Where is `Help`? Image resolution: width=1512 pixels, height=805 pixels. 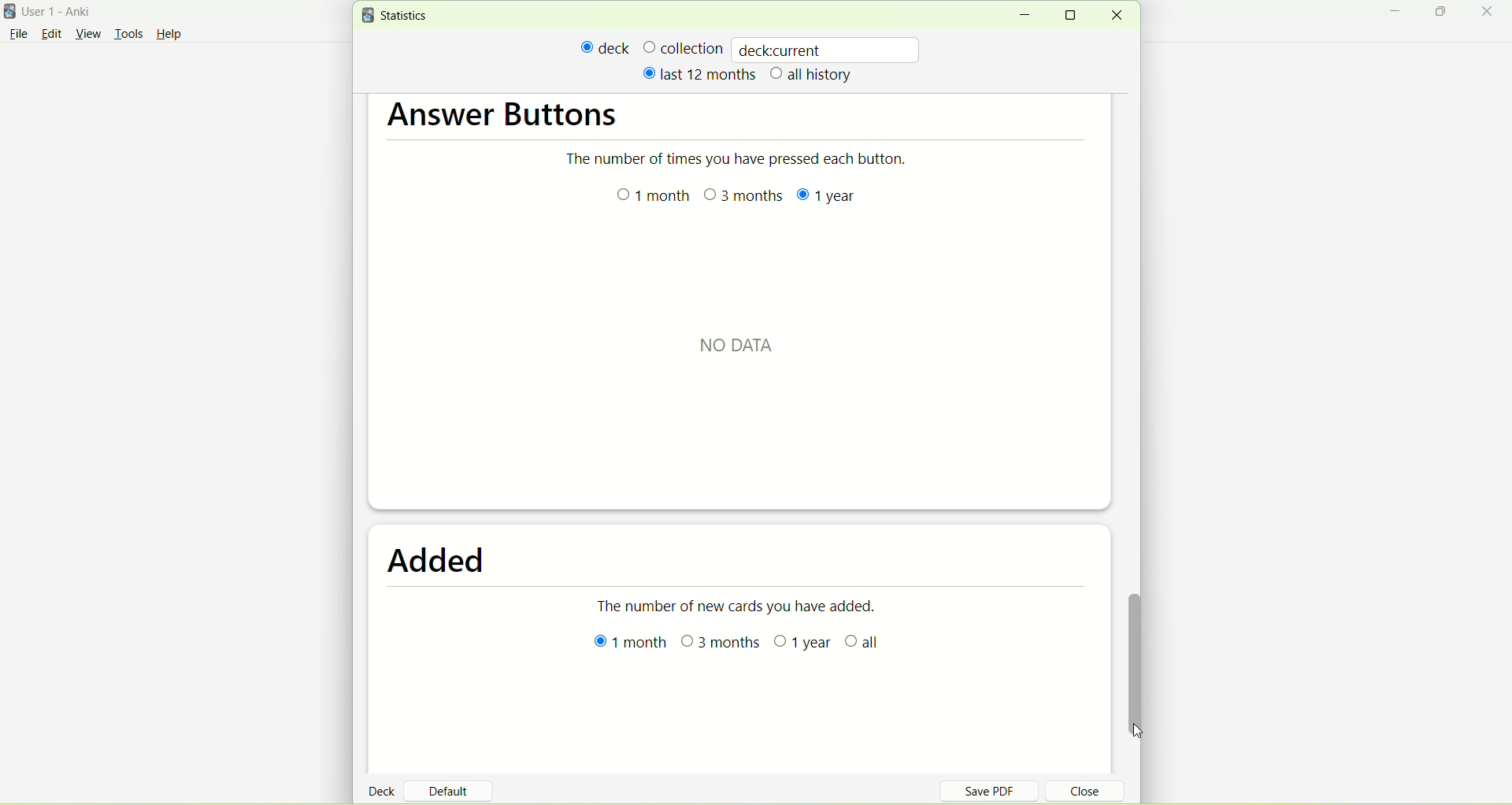
Help is located at coordinates (169, 36).